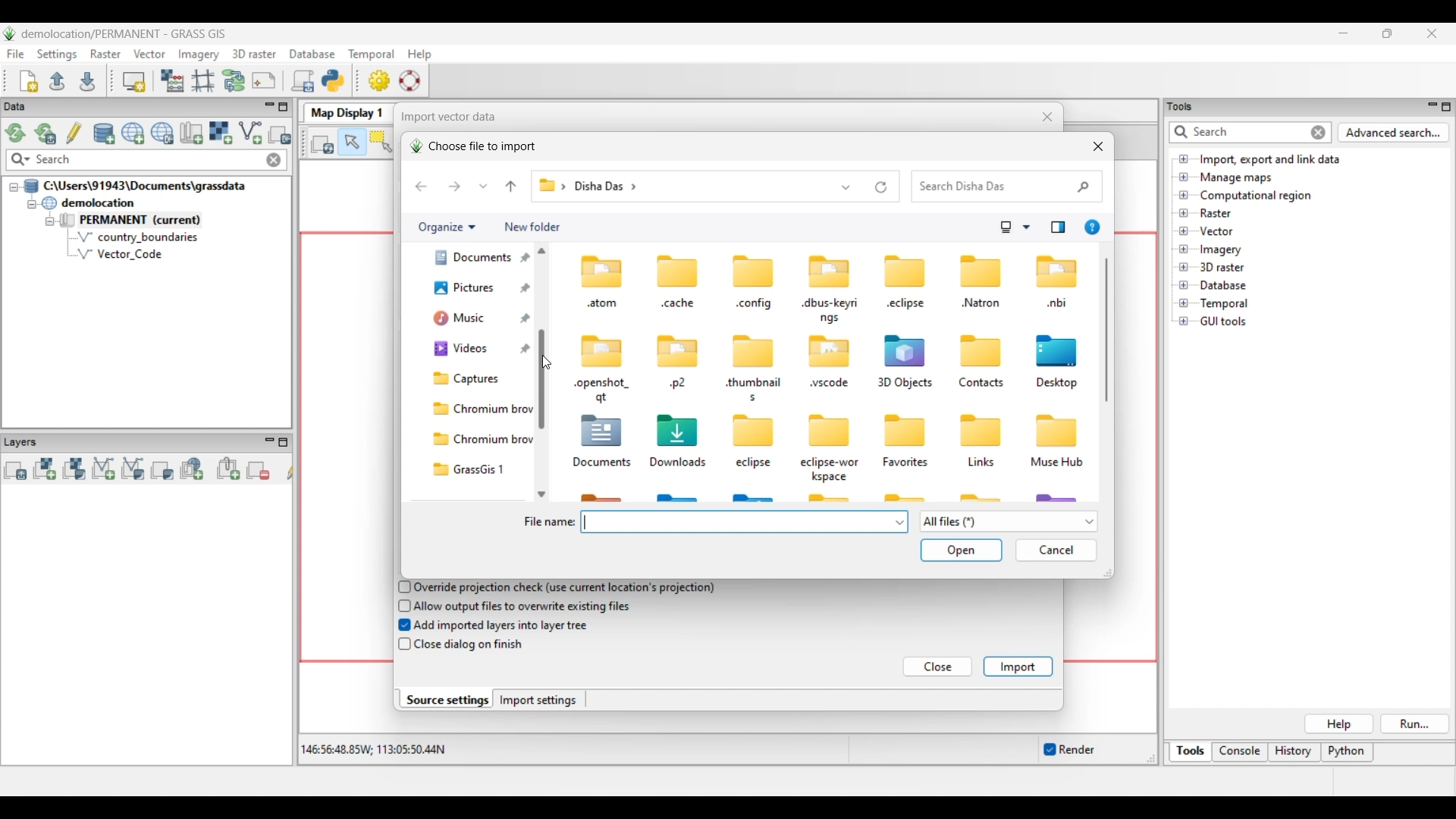 The width and height of the screenshot is (1456, 819). What do you see at coordinates (1224, 304) in the screenshot?
I see `Double click to see files under Temporal` at bounding box center [1224, 304].